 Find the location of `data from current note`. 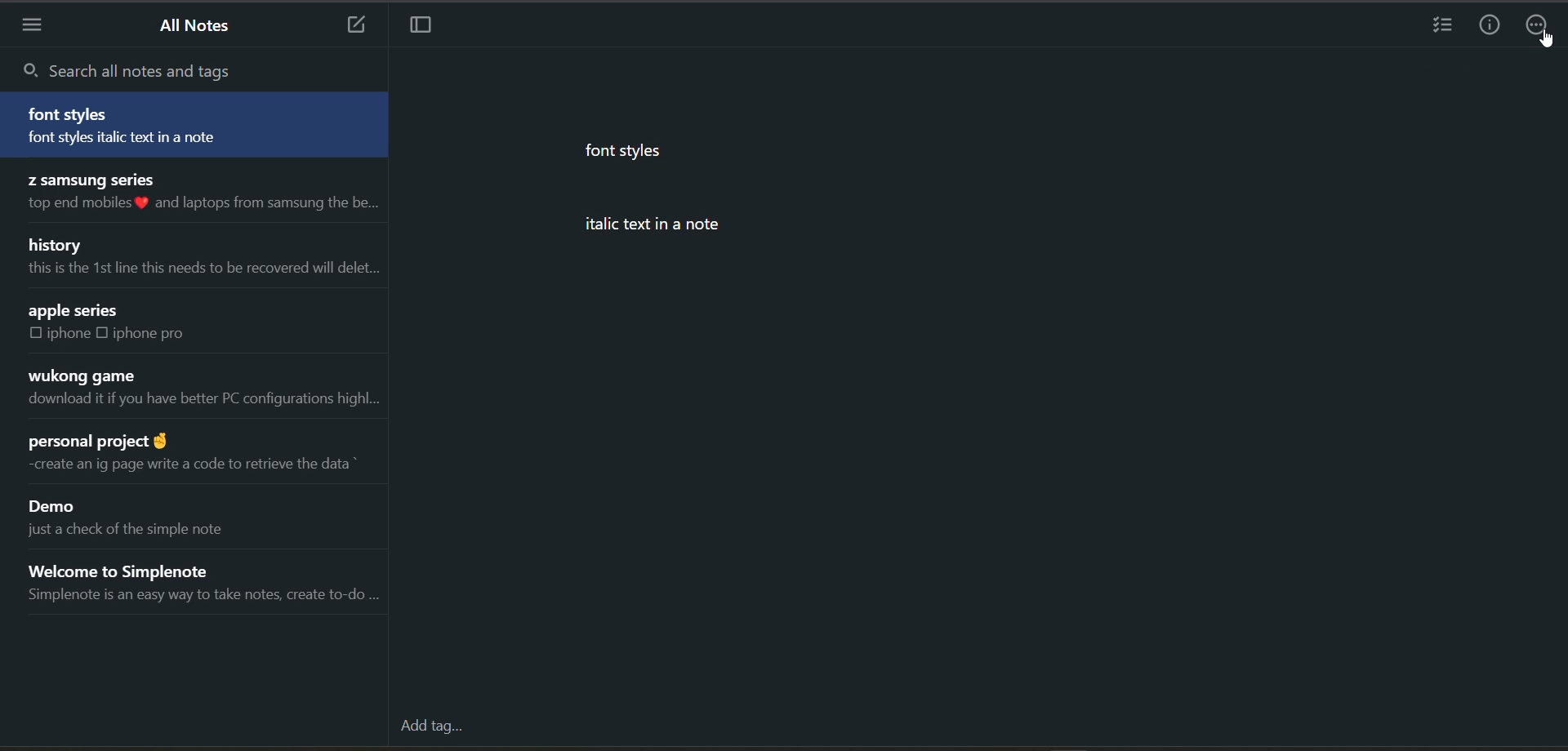

data from current note is located at coordinates (719, 202).